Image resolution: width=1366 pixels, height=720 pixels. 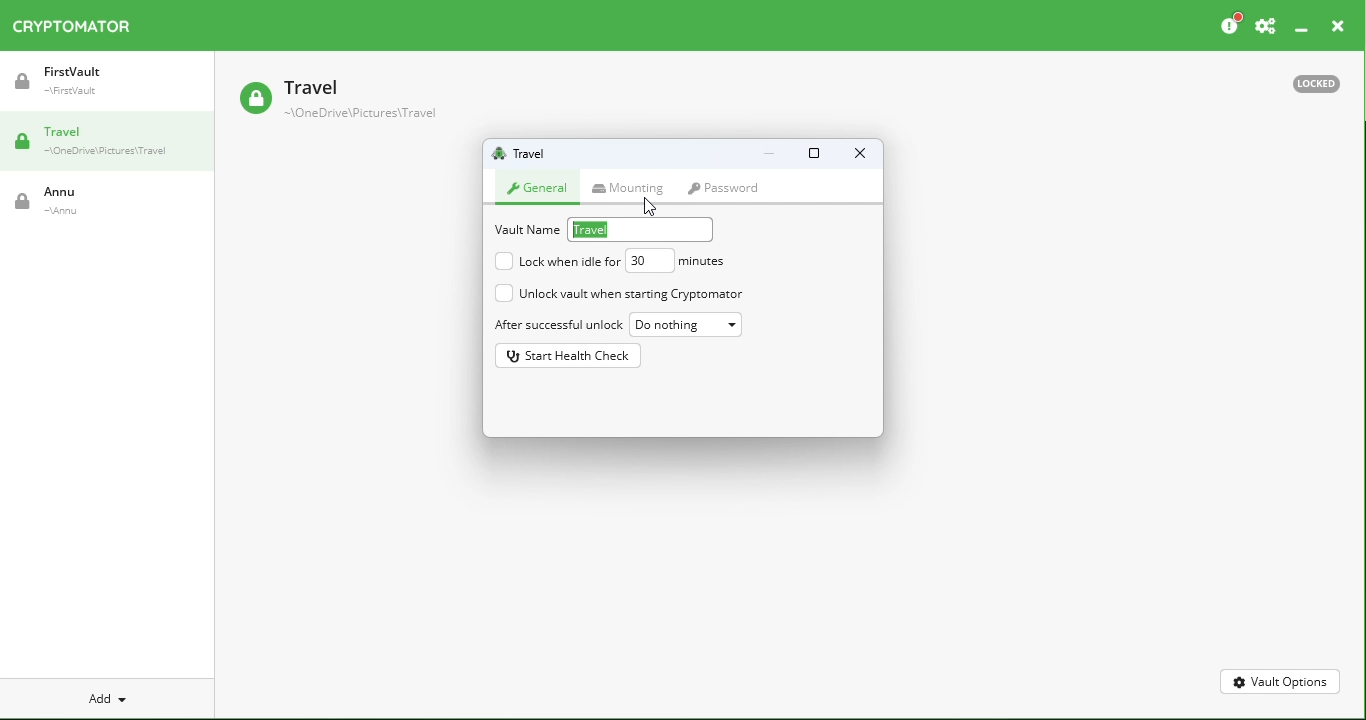 What do you see at coordinates (858, 155) in the screenshot?
I see `Close` at bounding box center [858, 155].